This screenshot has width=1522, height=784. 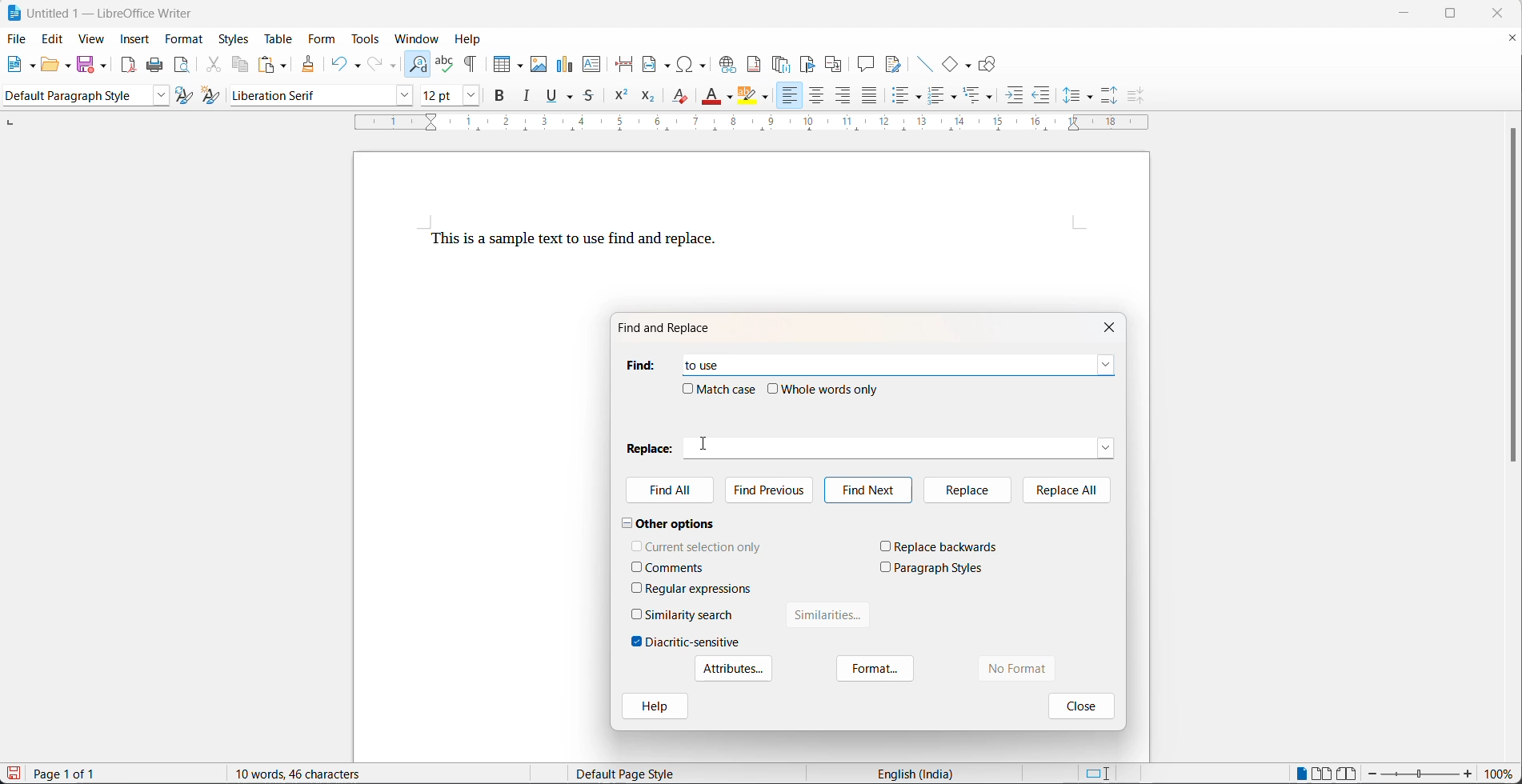 I want to click on similarity search, so click(x=690, y=614).